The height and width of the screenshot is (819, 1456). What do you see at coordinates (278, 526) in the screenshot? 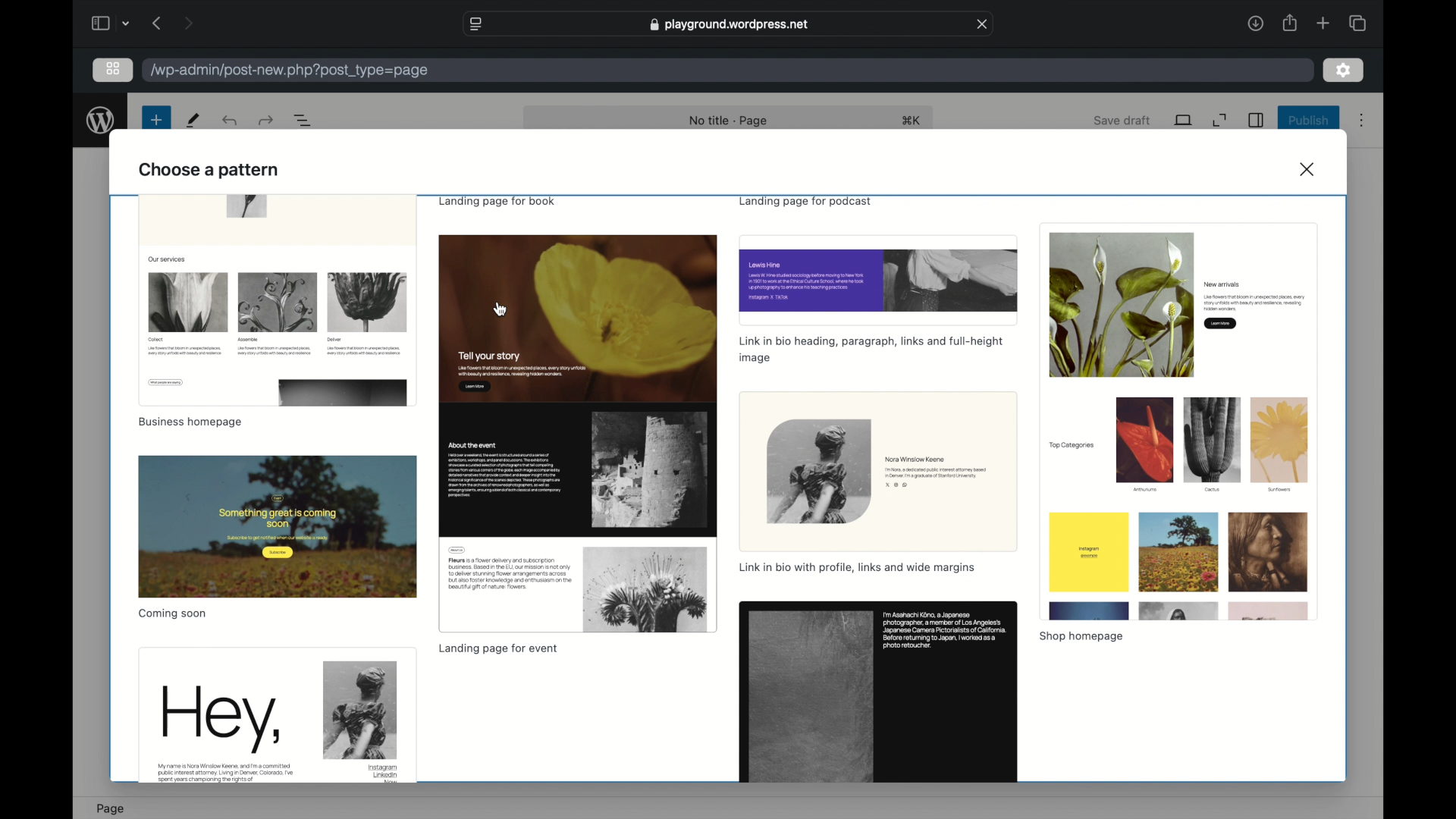
I see `preview` at bounding box center [278, 526].